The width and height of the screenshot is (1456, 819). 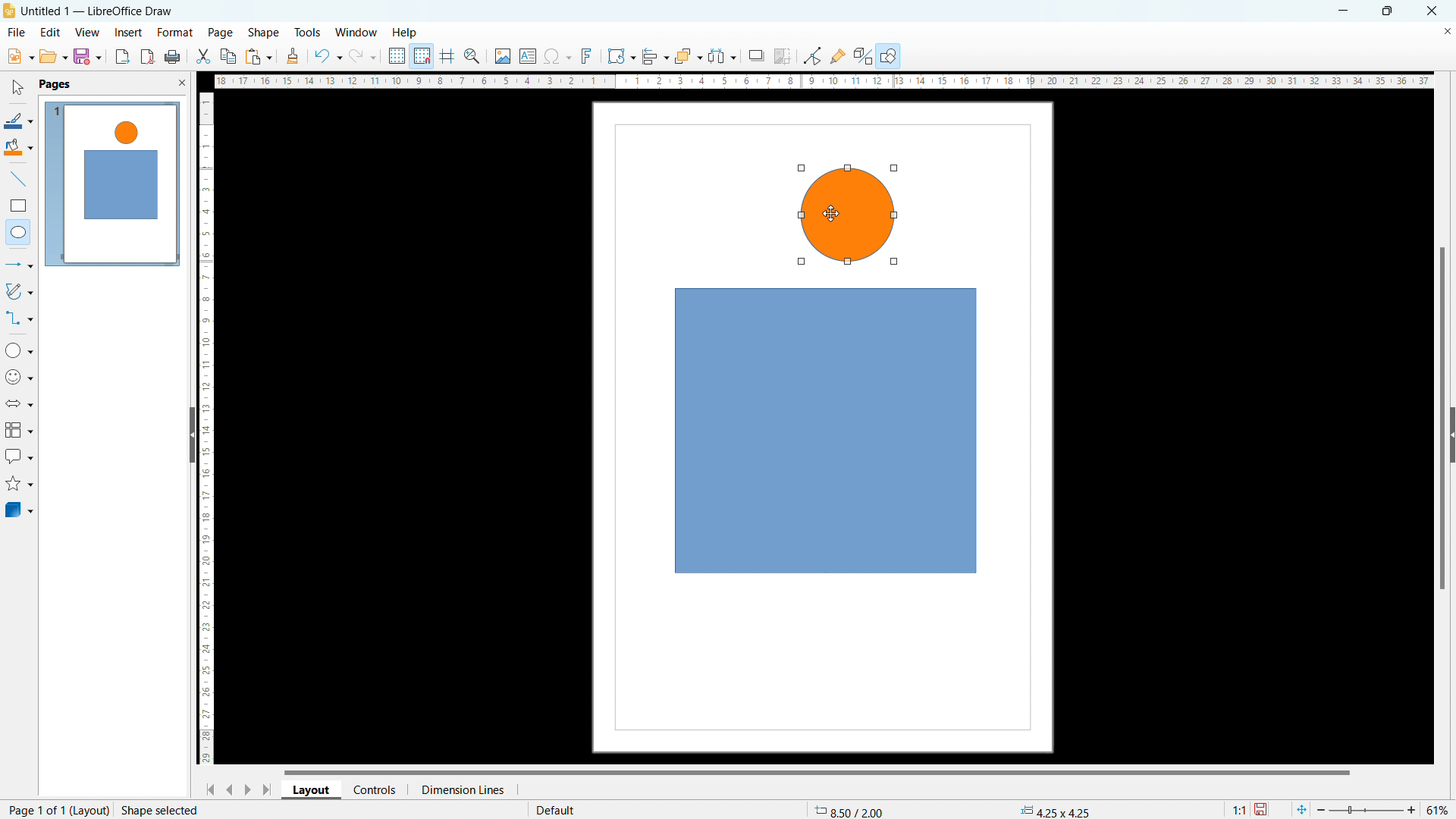 I want to click on export directly as pdf, so click(x=147, y=57).